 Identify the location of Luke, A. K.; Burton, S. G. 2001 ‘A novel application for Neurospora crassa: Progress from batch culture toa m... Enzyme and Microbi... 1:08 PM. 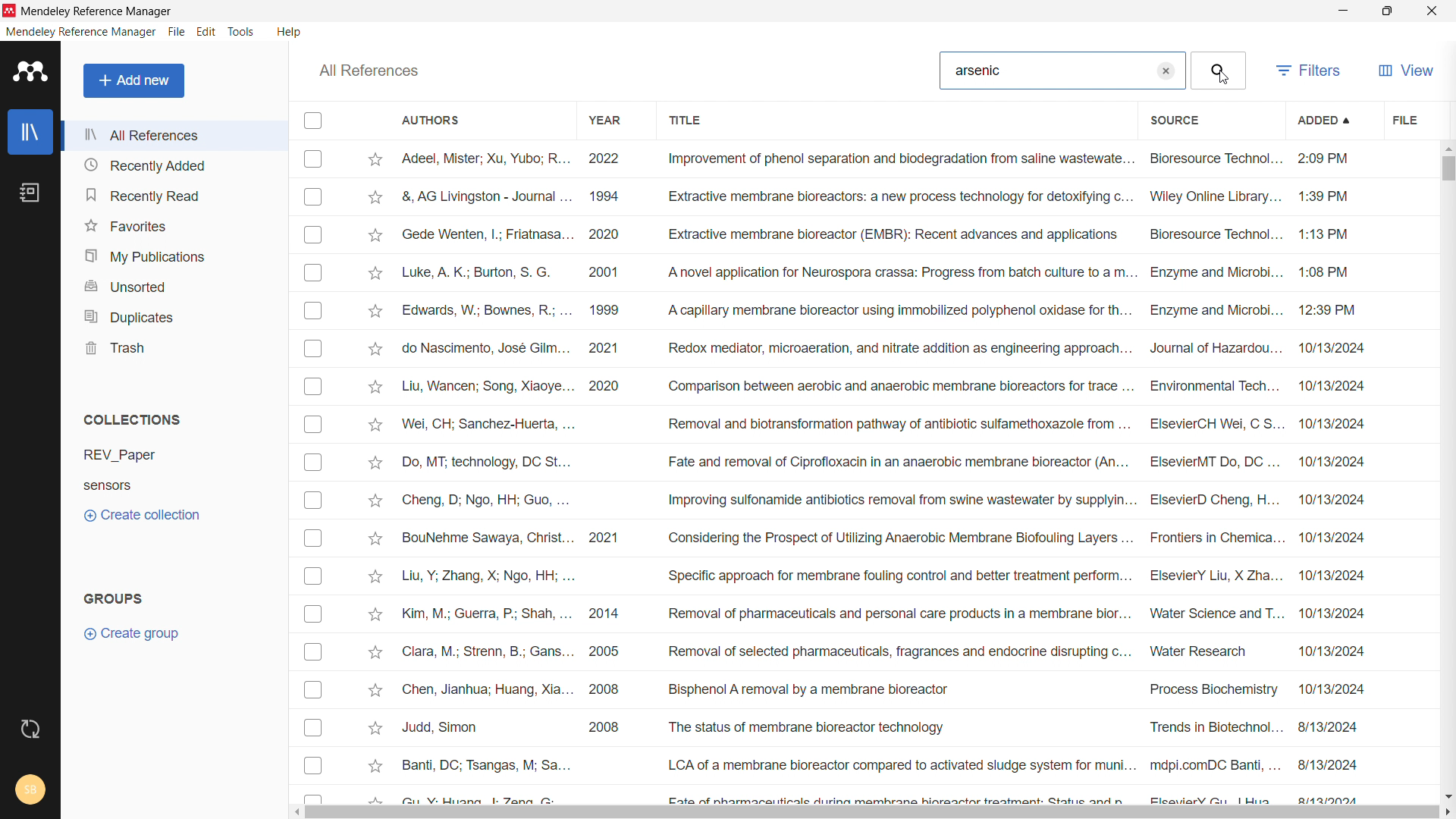
(893, 271).